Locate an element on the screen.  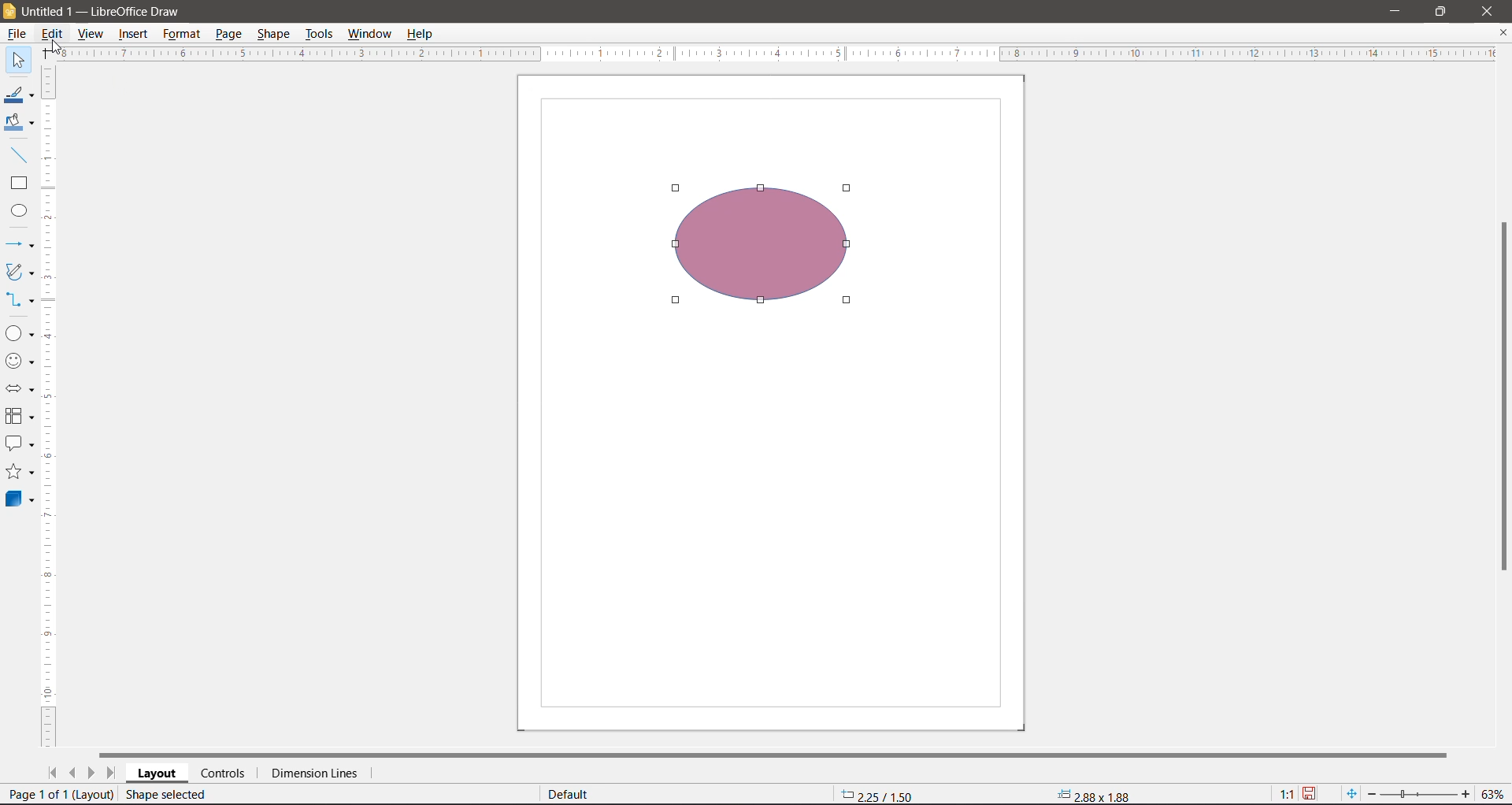
Fit page to current window is located at coordinates (1353, 794).